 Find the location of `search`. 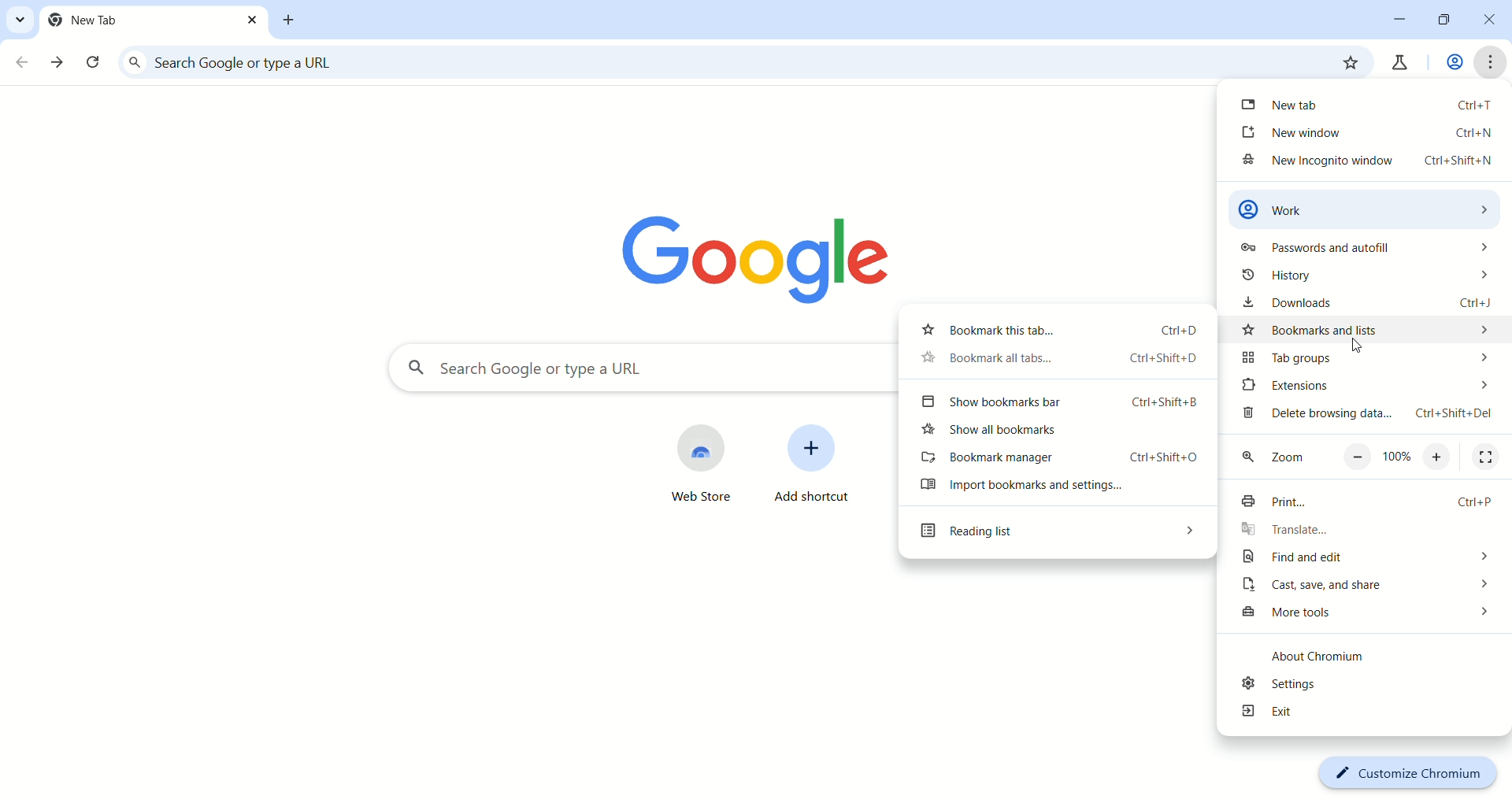

search is located at coordinates (714, 64).